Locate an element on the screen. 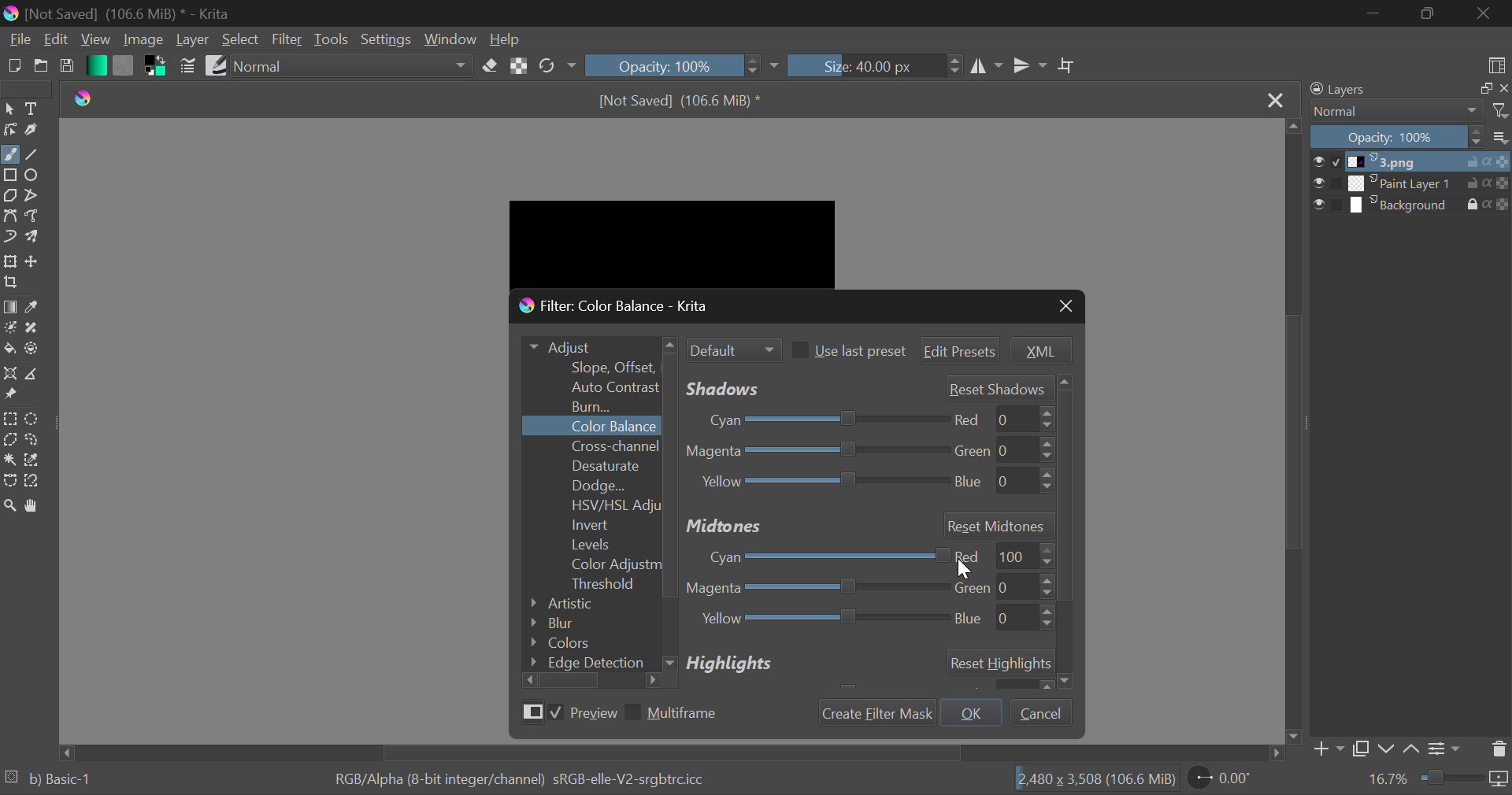 This screenshot has height=795, width=1512. Use last preset is located at coordinates (847, 350).